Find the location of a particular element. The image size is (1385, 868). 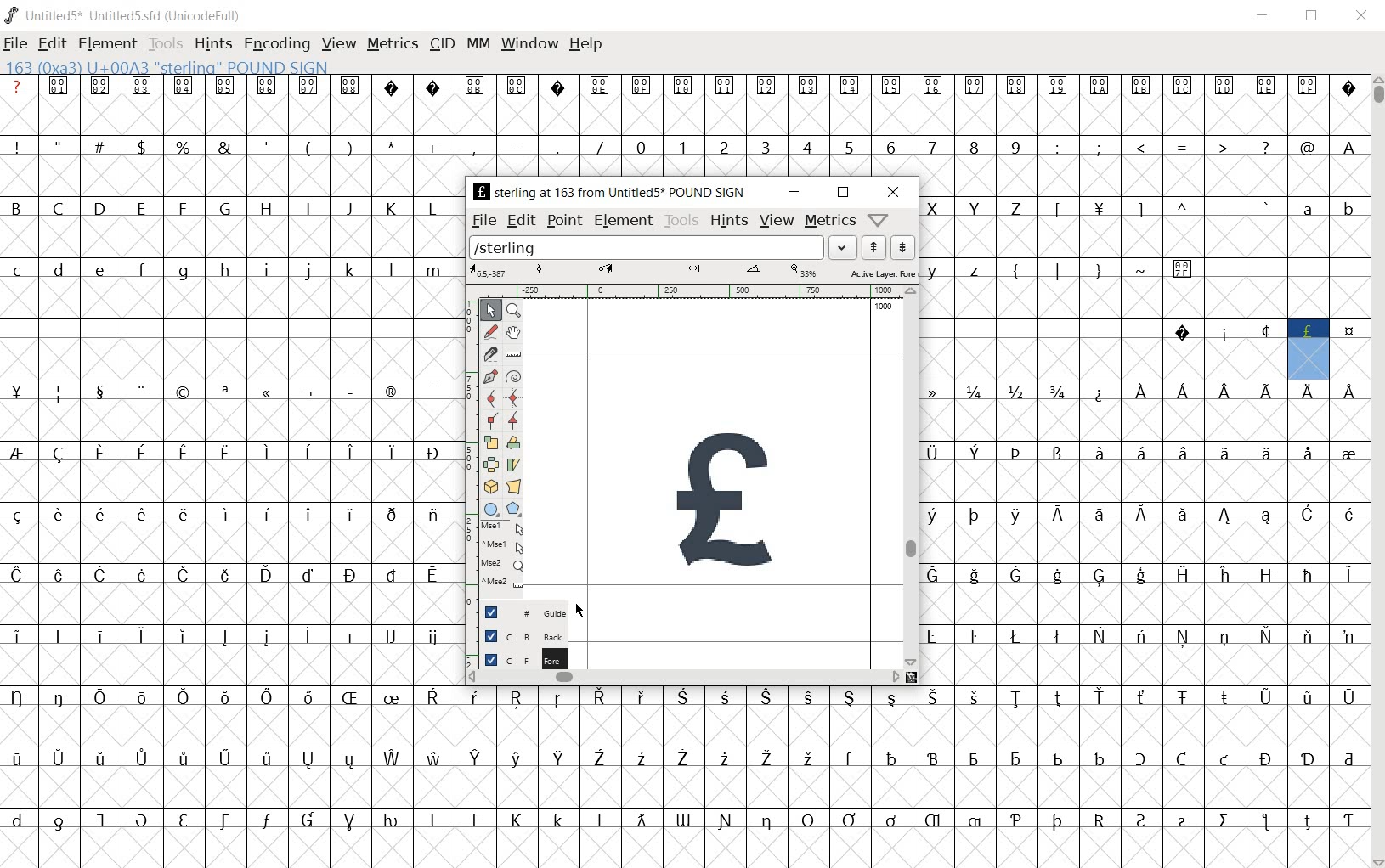

Symbol is located at coordinates (140, 391).